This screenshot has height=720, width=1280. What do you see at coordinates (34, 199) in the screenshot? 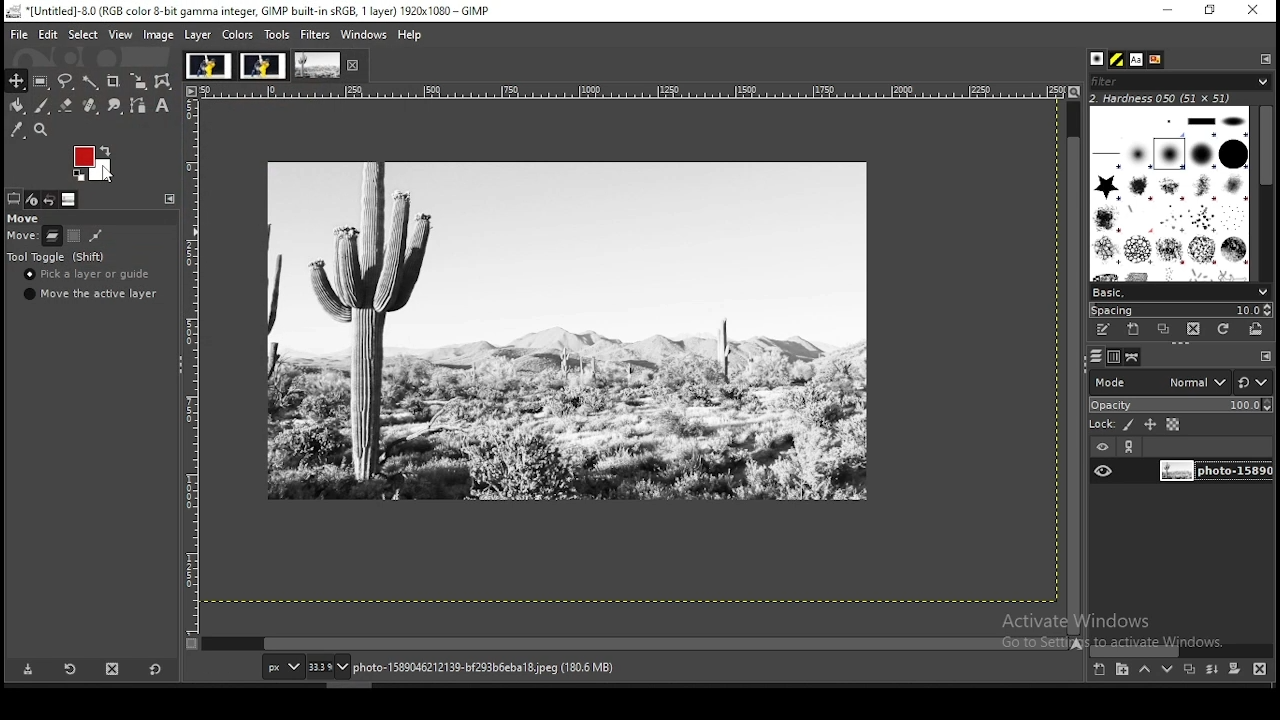
I see `device status` at bounding box center [34, 199].